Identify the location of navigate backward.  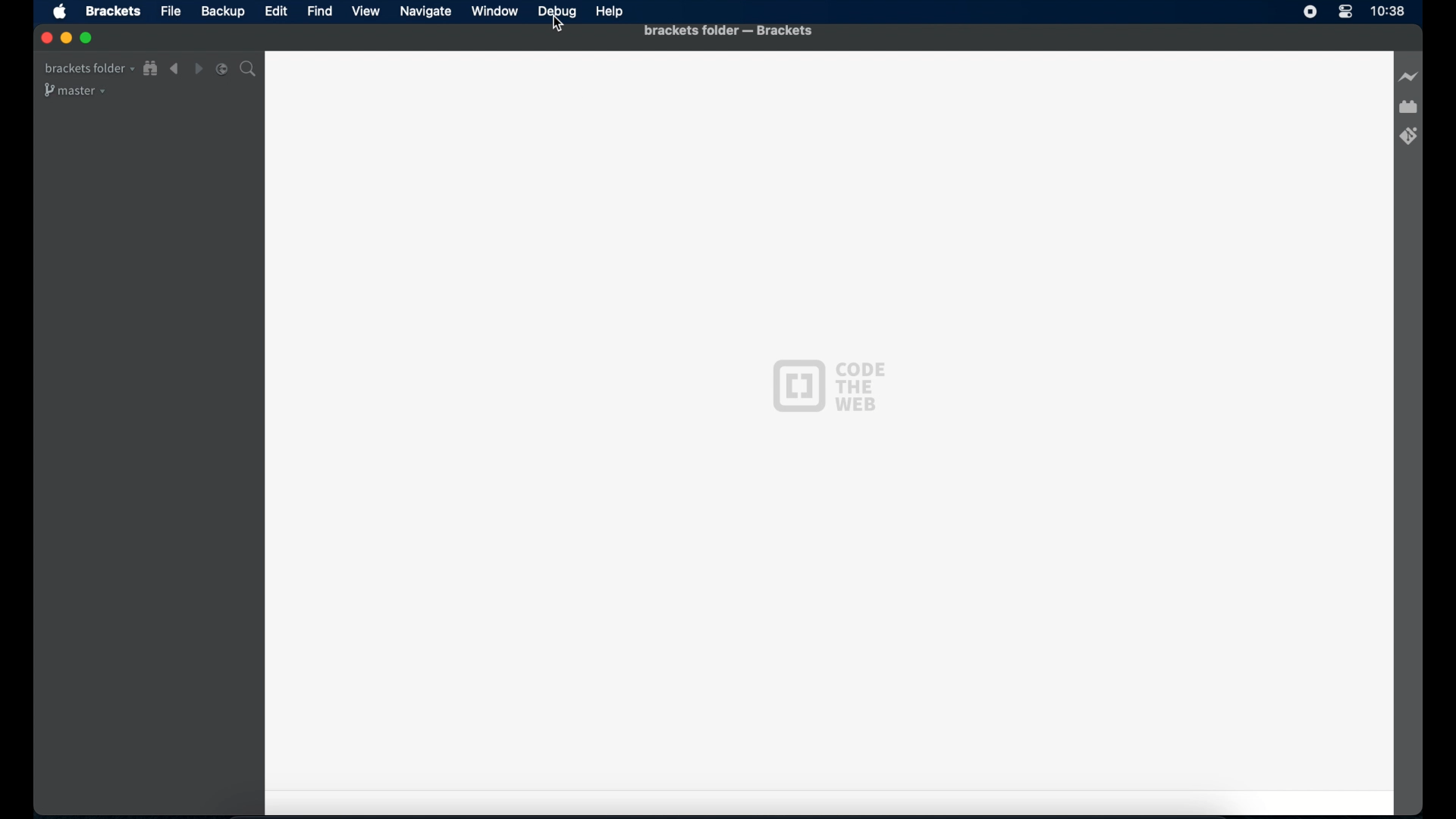
(174, 69).